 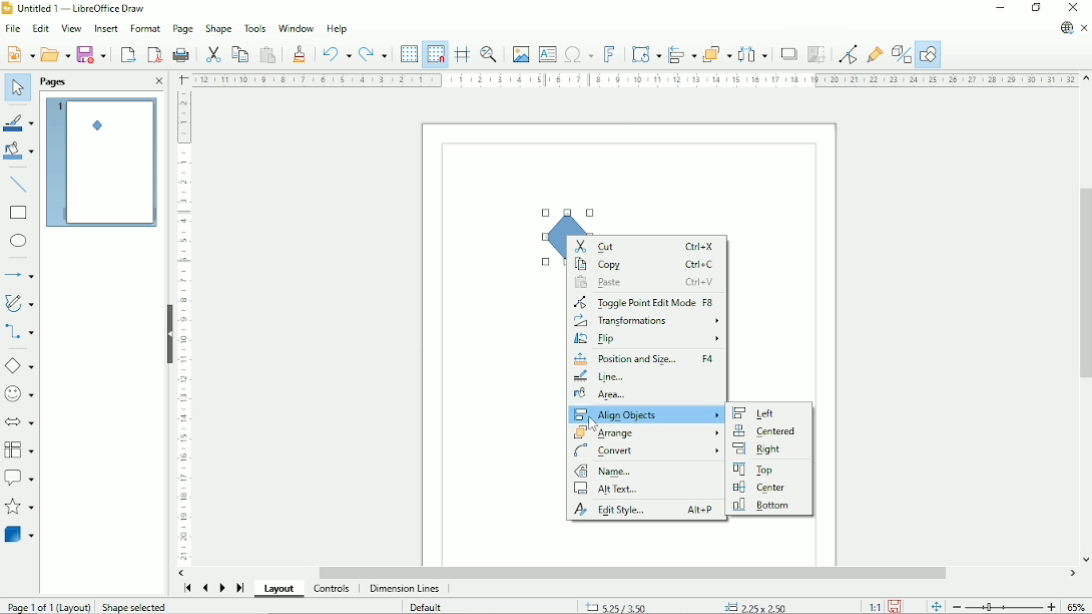 I want to click on Convert, so click(x=645, y=450).